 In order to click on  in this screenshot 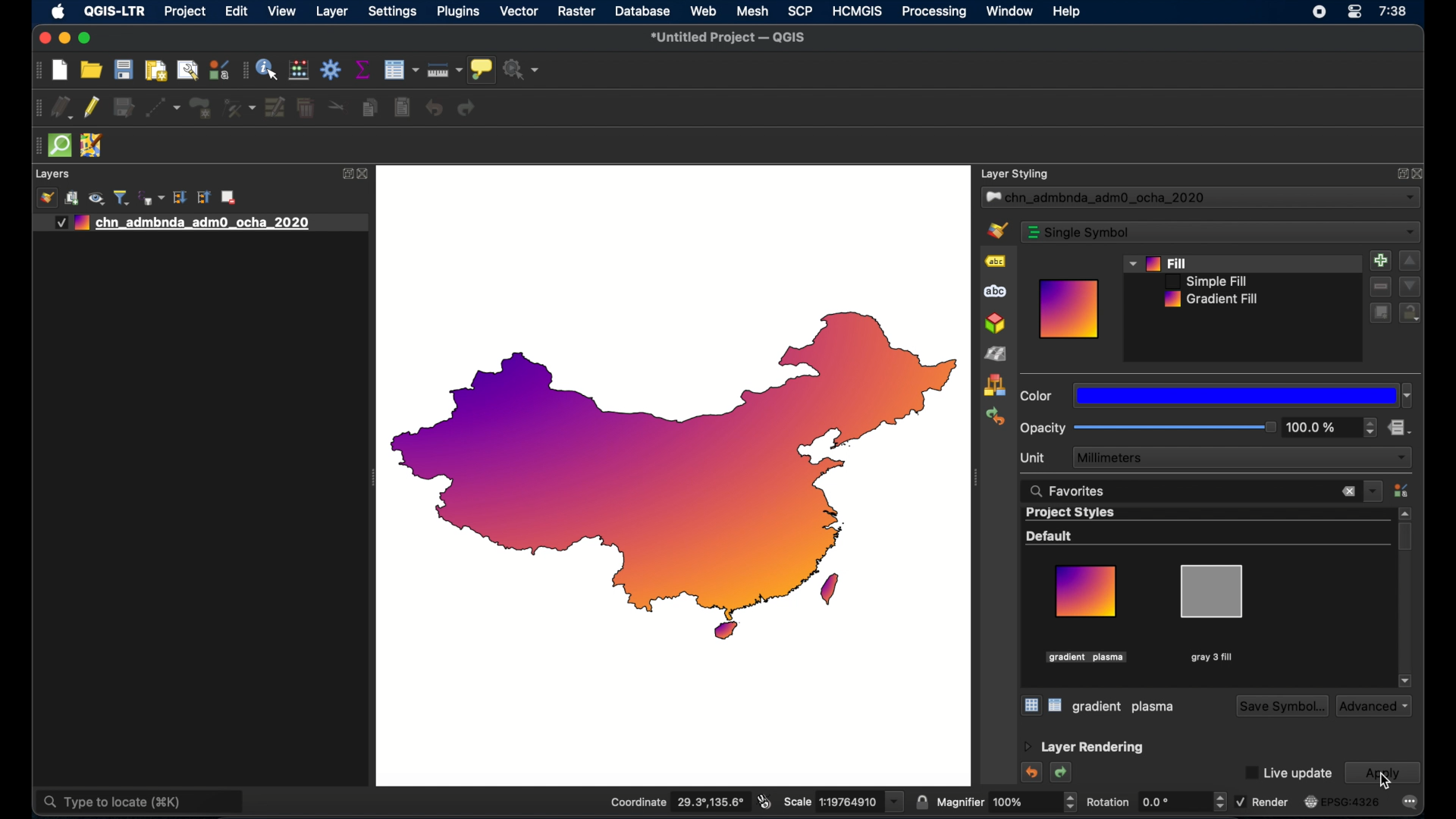, I will do `click(675, 802)`.